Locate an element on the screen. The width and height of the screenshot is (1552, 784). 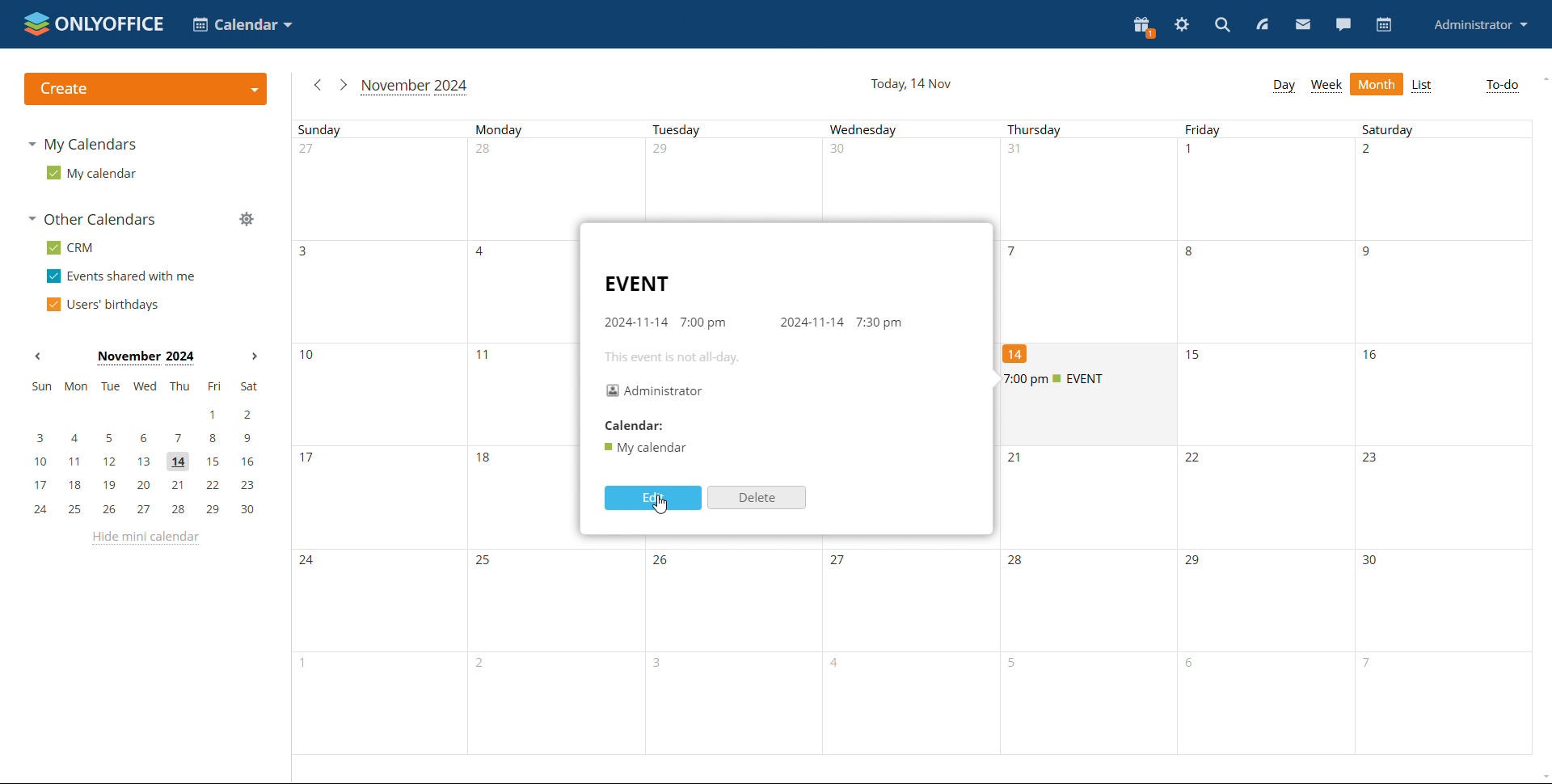
number is located at coordinates (485, 154).